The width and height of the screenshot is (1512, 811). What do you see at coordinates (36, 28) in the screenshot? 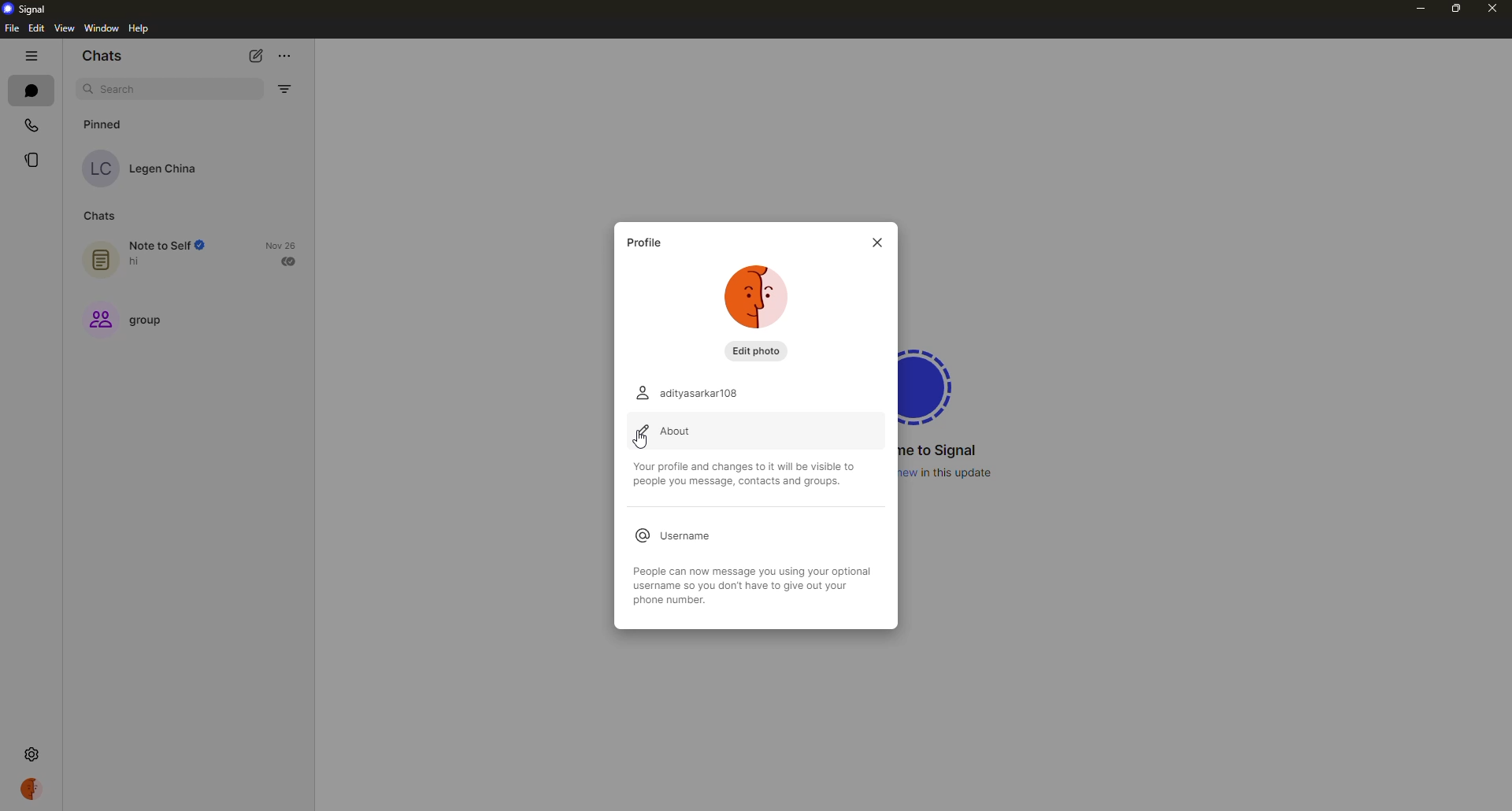
I see `edit` at bounding box center [36, 28].